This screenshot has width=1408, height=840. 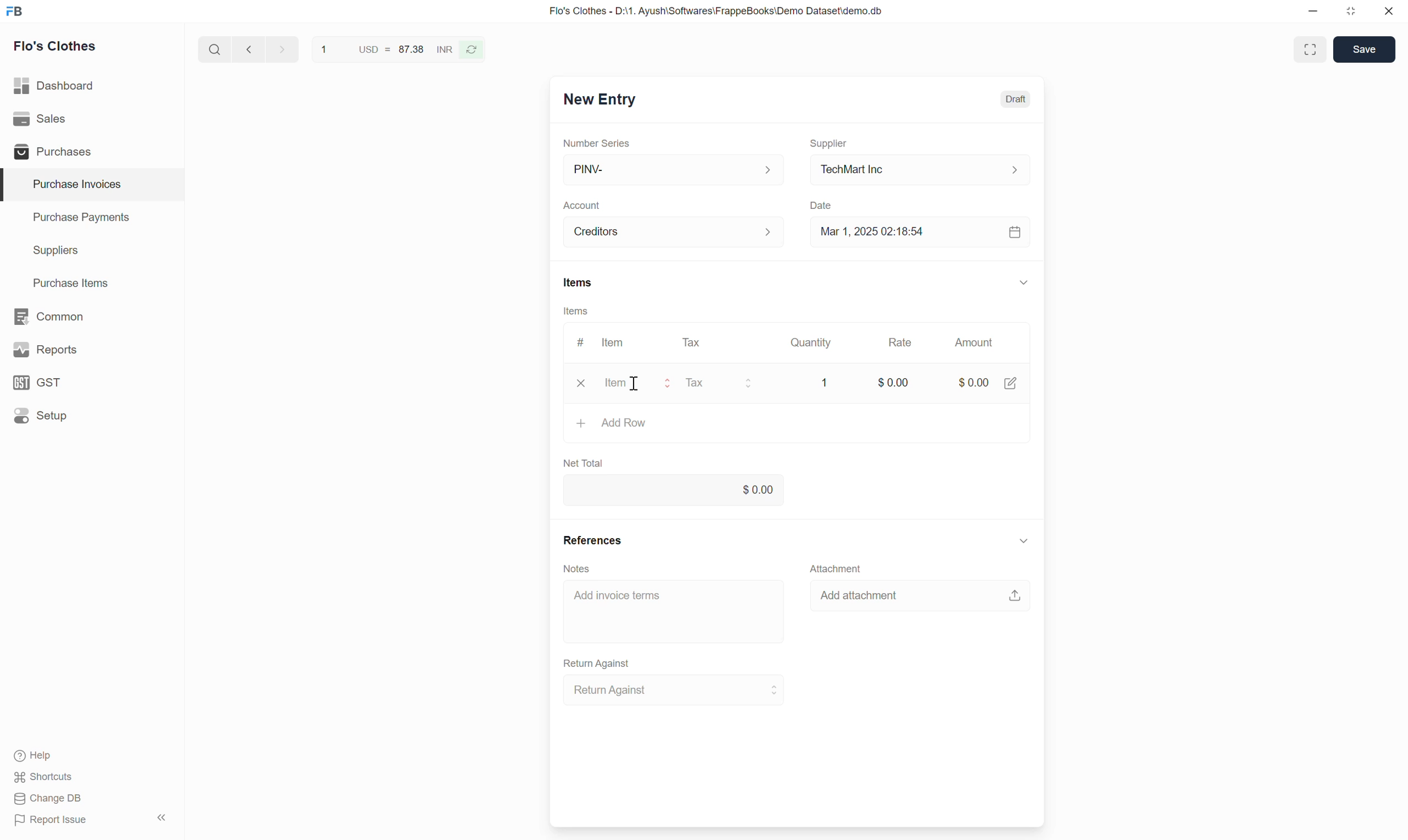 I want to click on Number Series, so click(x=597, y=143).